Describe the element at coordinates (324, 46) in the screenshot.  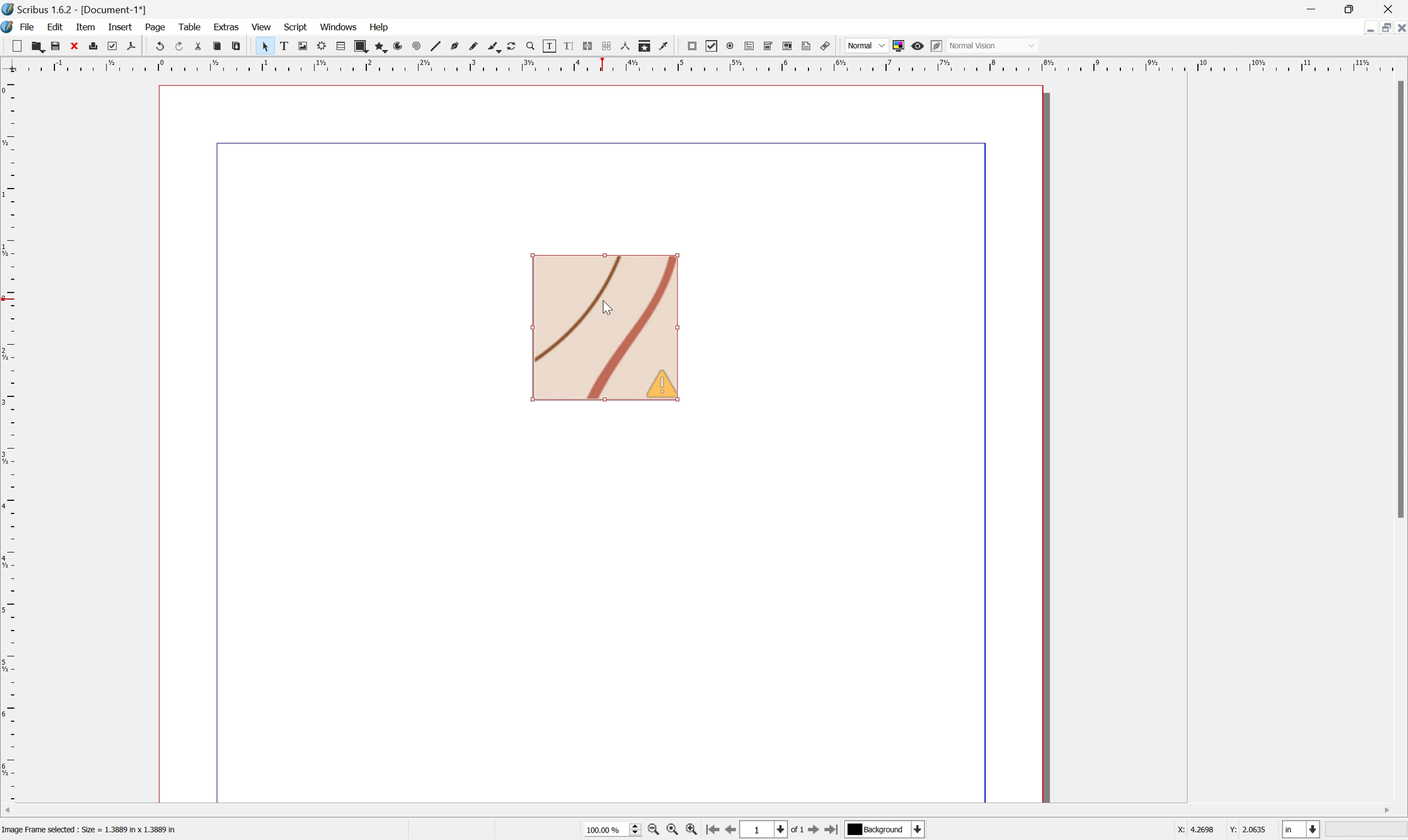
I see `Render frame` at that location.